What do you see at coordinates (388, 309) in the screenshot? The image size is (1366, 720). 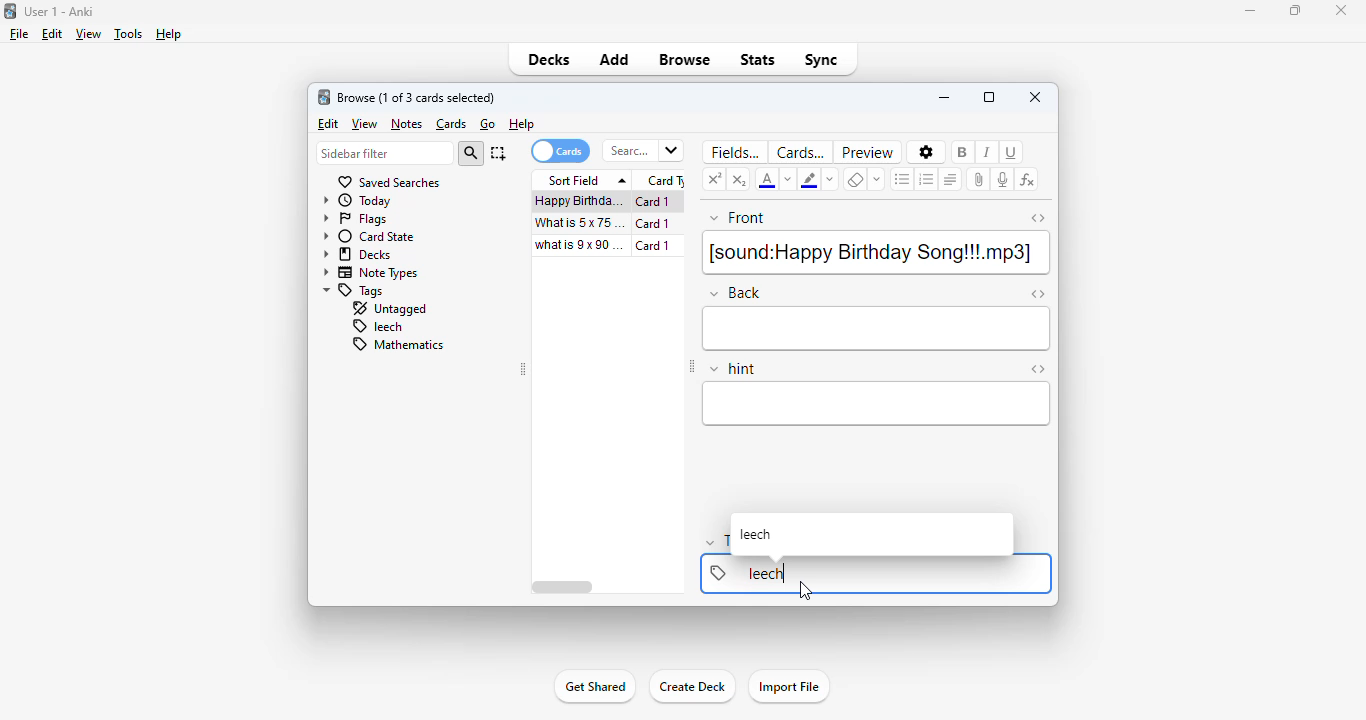 I see `untagged` at bounding box center [388, 309].